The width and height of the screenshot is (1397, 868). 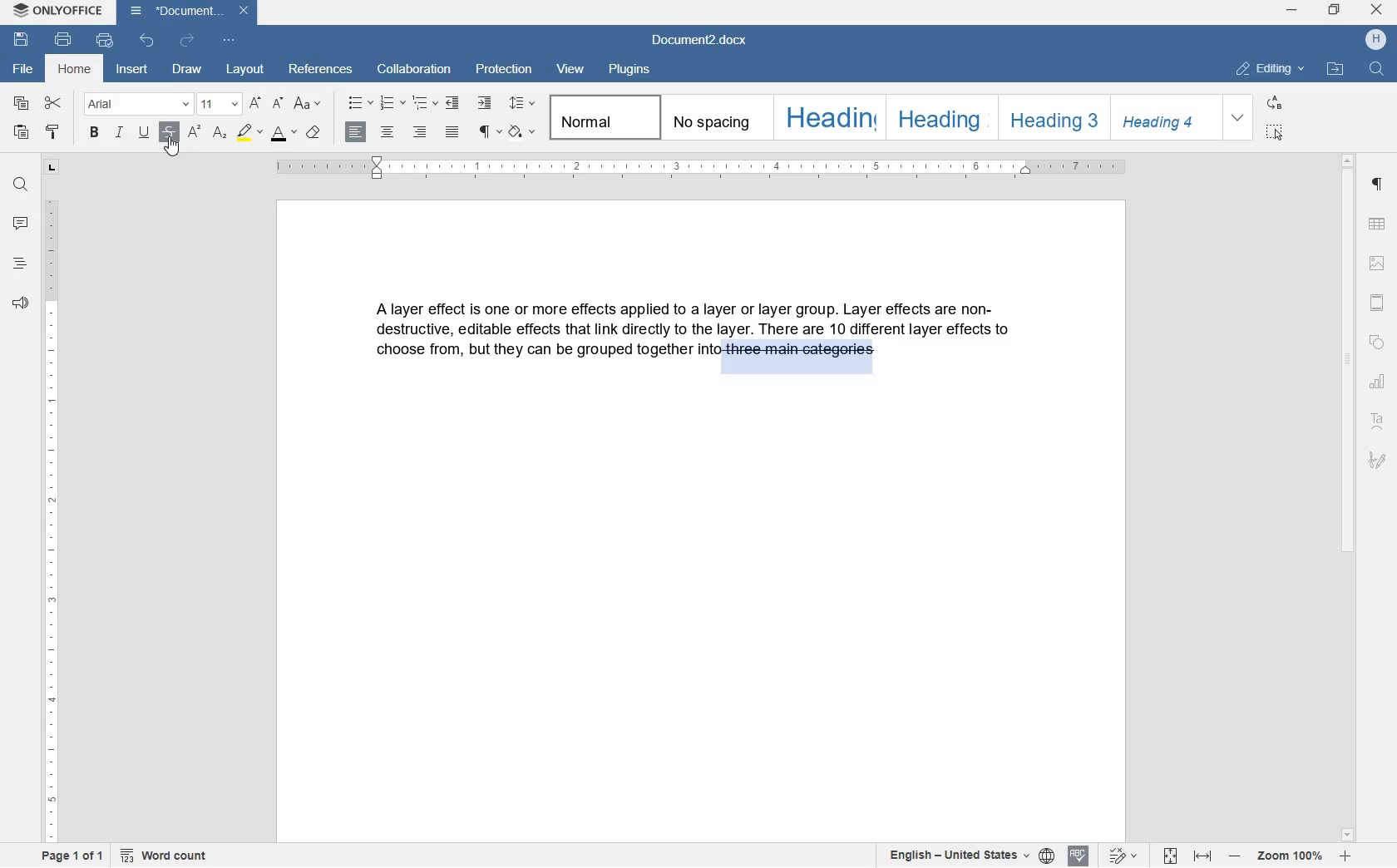 I want to click on table , so click(x=1380, y=224).